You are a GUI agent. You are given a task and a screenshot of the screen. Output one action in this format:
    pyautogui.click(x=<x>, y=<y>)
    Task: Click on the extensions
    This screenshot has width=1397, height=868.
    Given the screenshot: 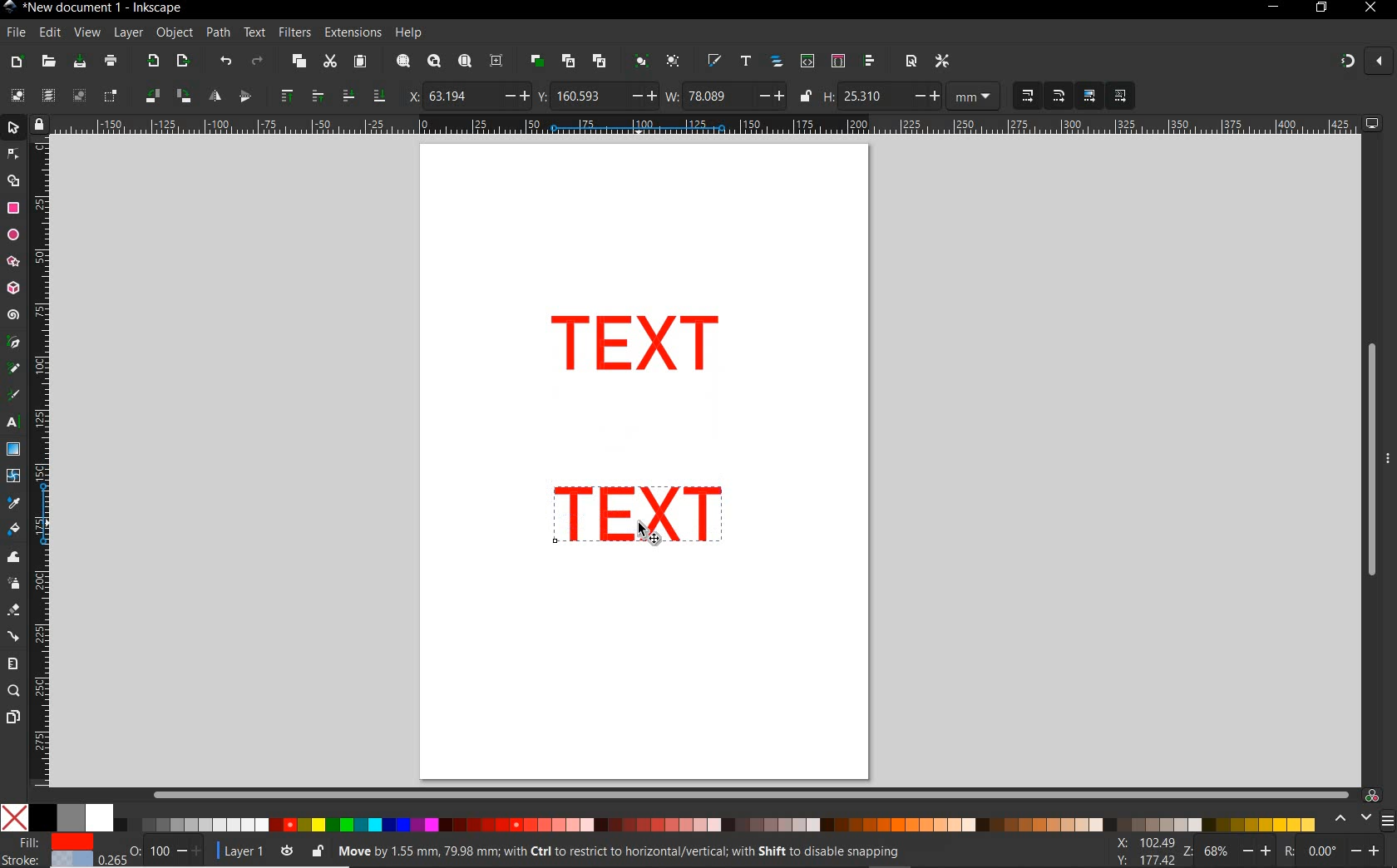 What is the action you would take?
    pyautogui.click(x=352, y=32)
    